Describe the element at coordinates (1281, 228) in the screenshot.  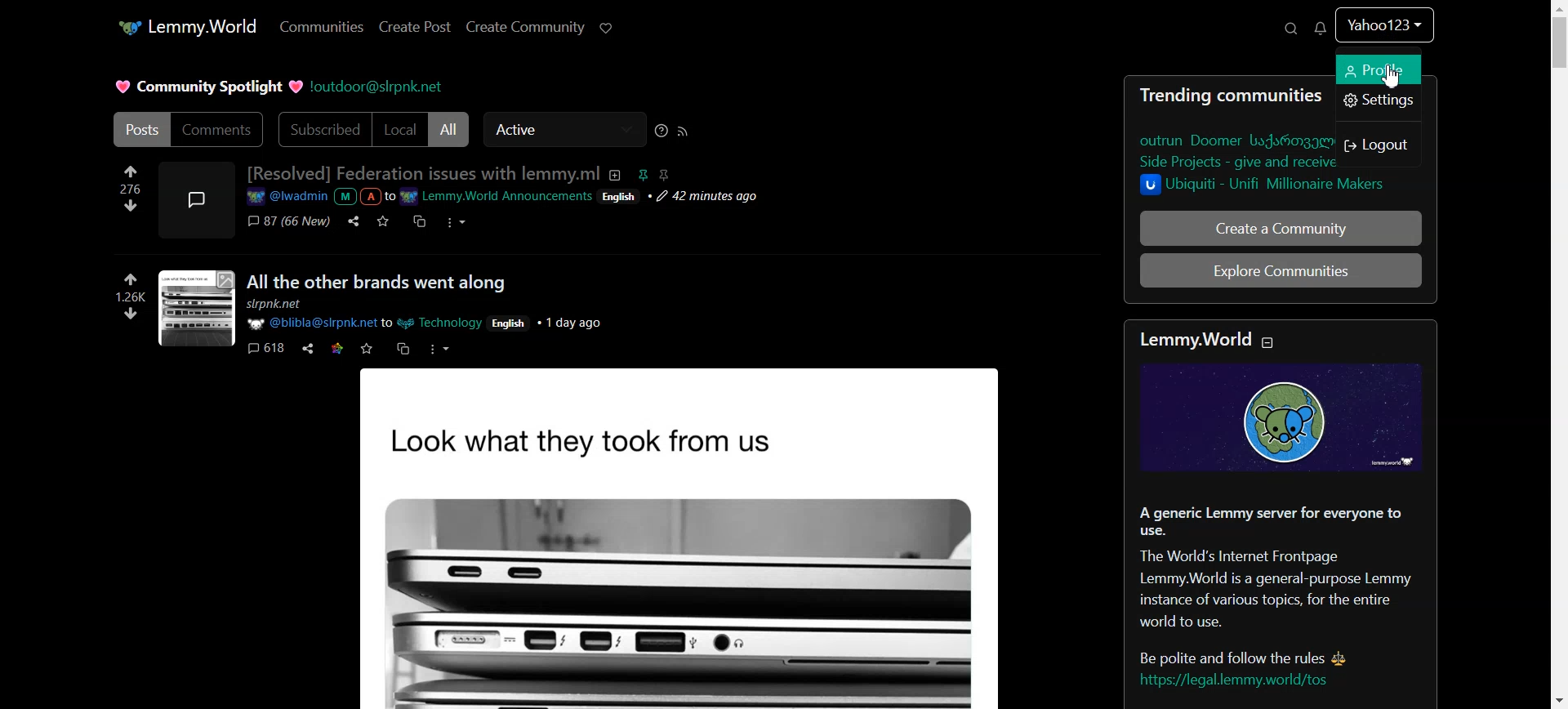
I see `Create a Community` at that location.